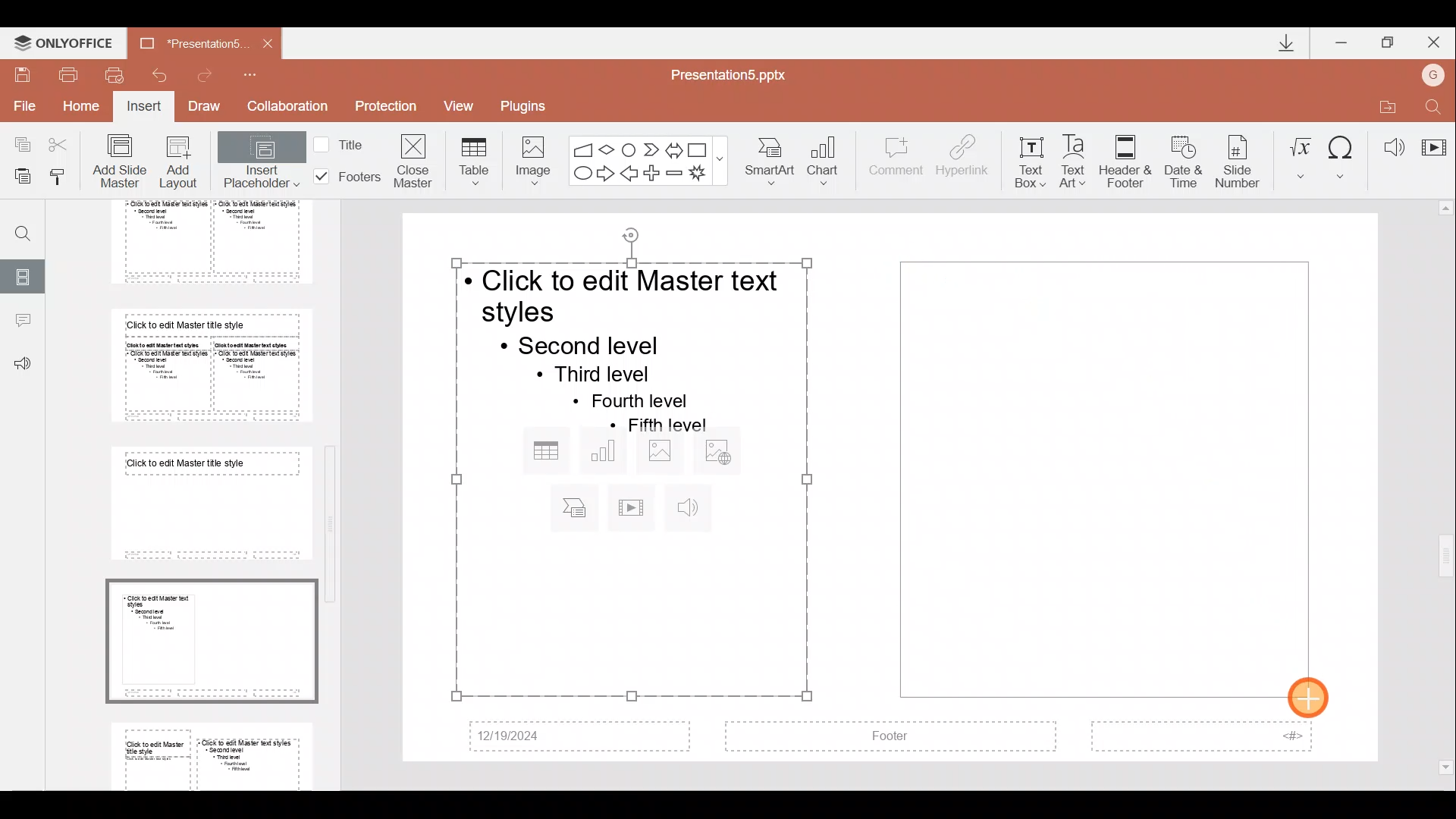 This screenshot has width=1456, height=819. What do you see at coordinates (896, 163) in the screenshot?
I see `Comment` at bounding box center [896, 163].